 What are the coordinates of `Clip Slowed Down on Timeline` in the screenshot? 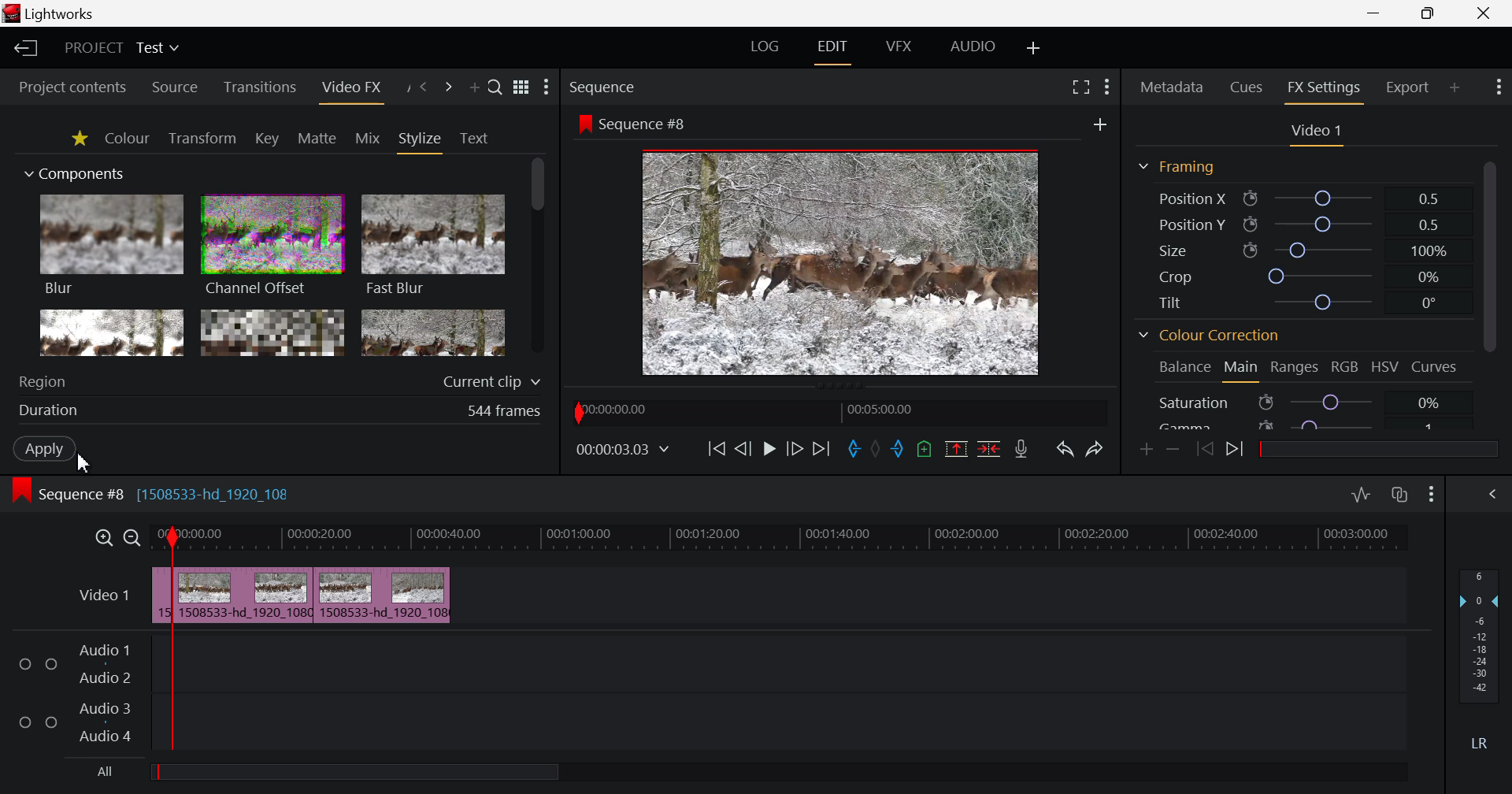 It's located at (240, 592).